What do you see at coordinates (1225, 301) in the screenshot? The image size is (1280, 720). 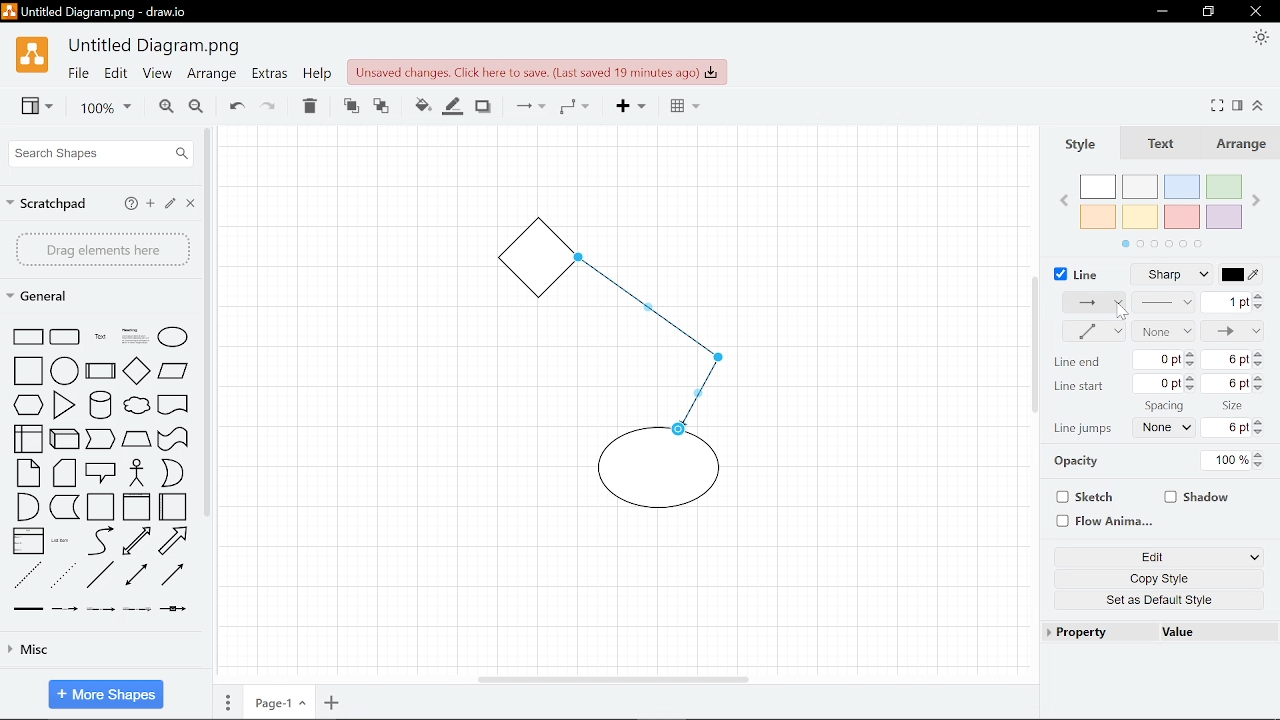 I see `Current thickness` at bounding box center [1225, 301].